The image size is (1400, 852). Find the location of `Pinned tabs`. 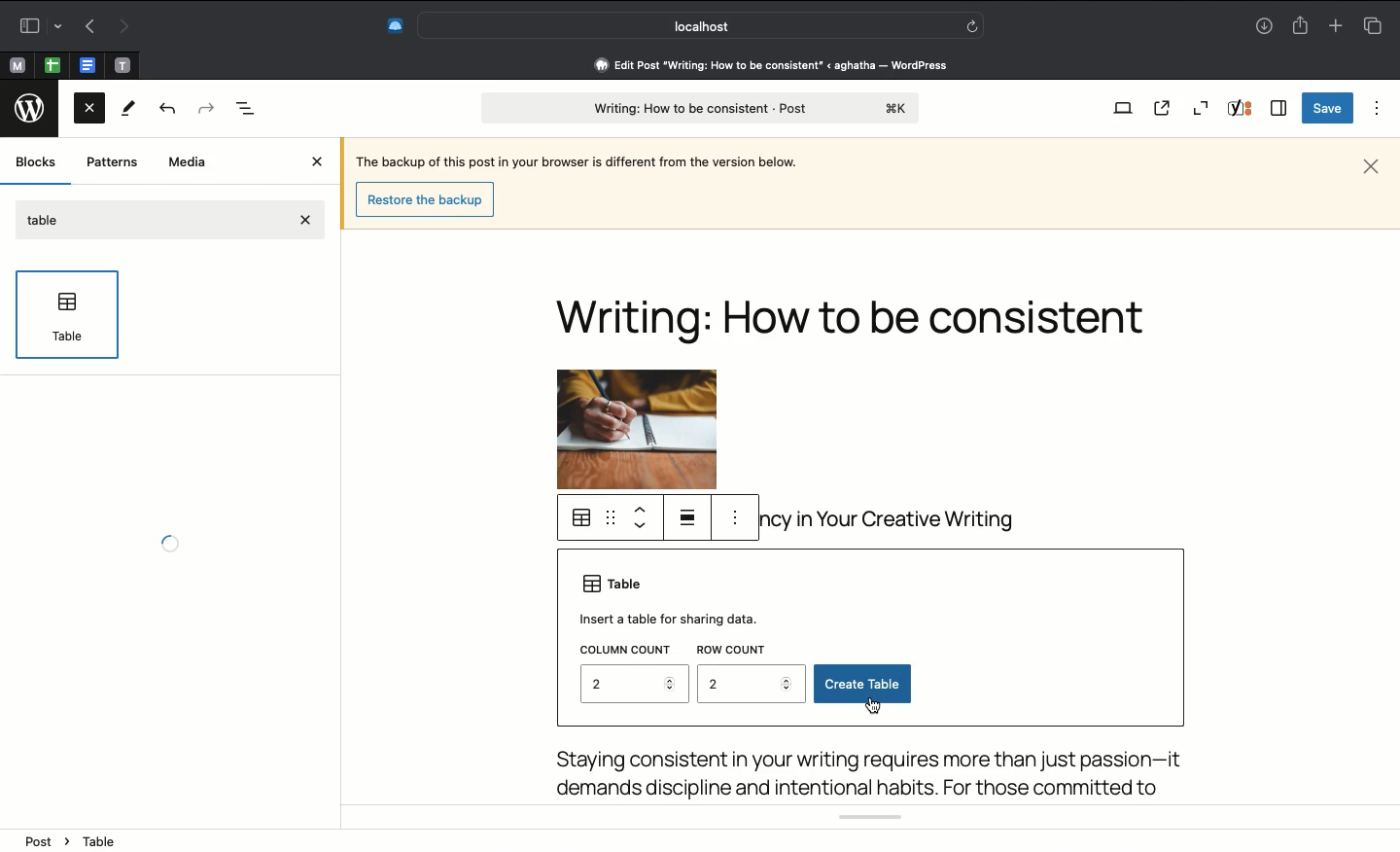

Pinned tabs is located at coordinates (121, 65).